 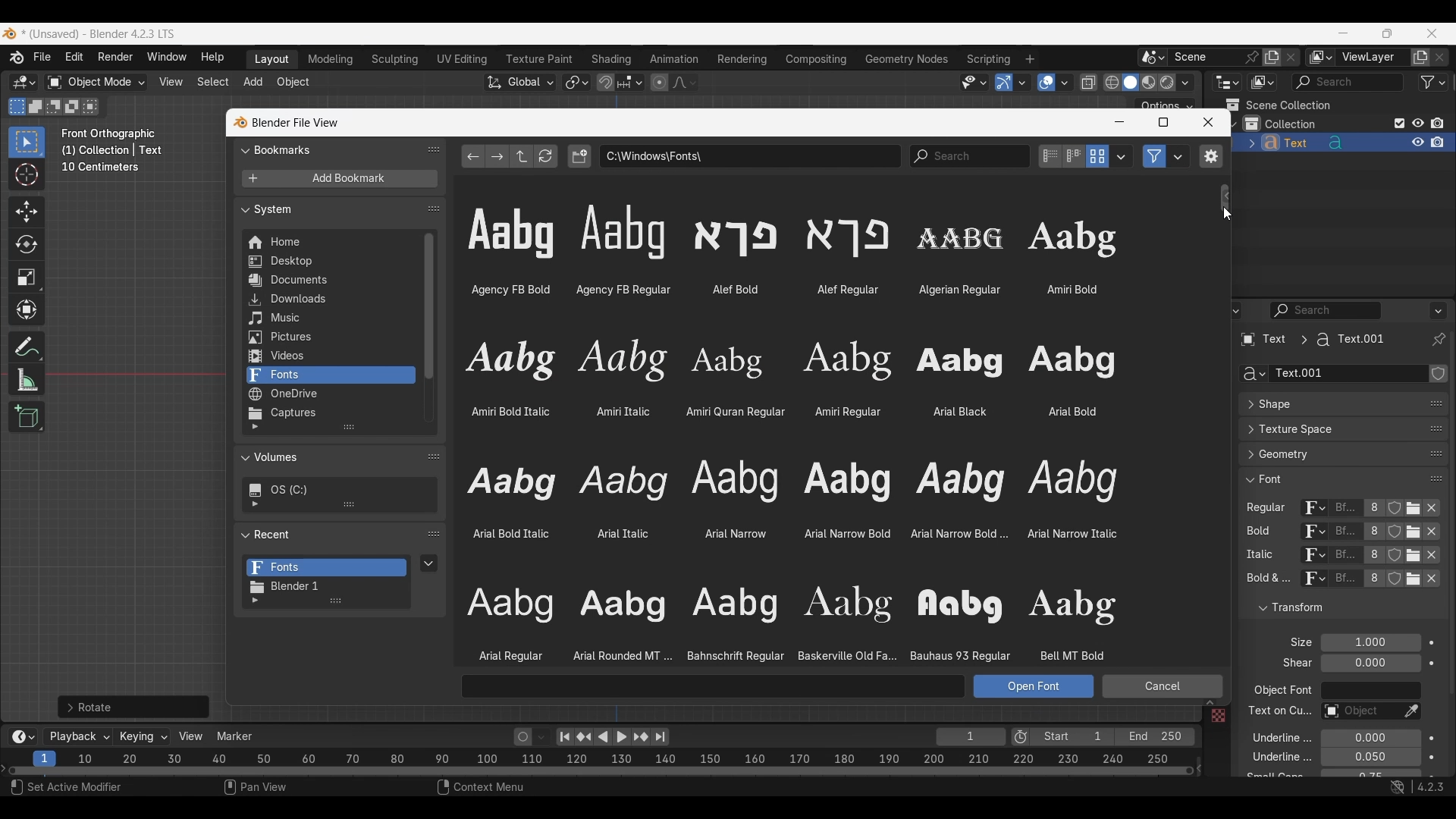 I want to click on Expand View/Select, so click(x=1210, y=703).